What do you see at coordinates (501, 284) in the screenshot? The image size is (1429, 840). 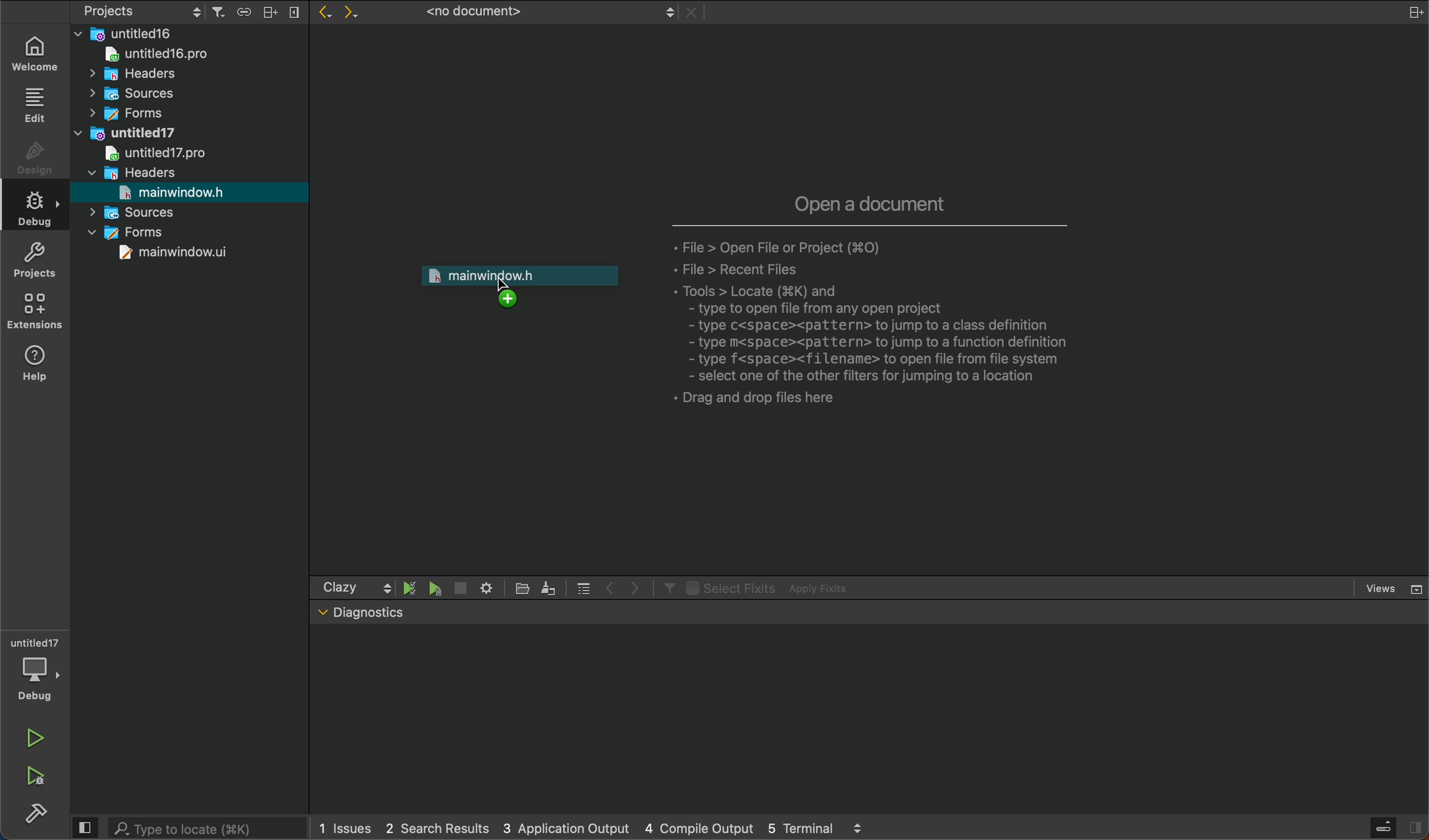 I see `Cursor` at bounding box center [501, 284].